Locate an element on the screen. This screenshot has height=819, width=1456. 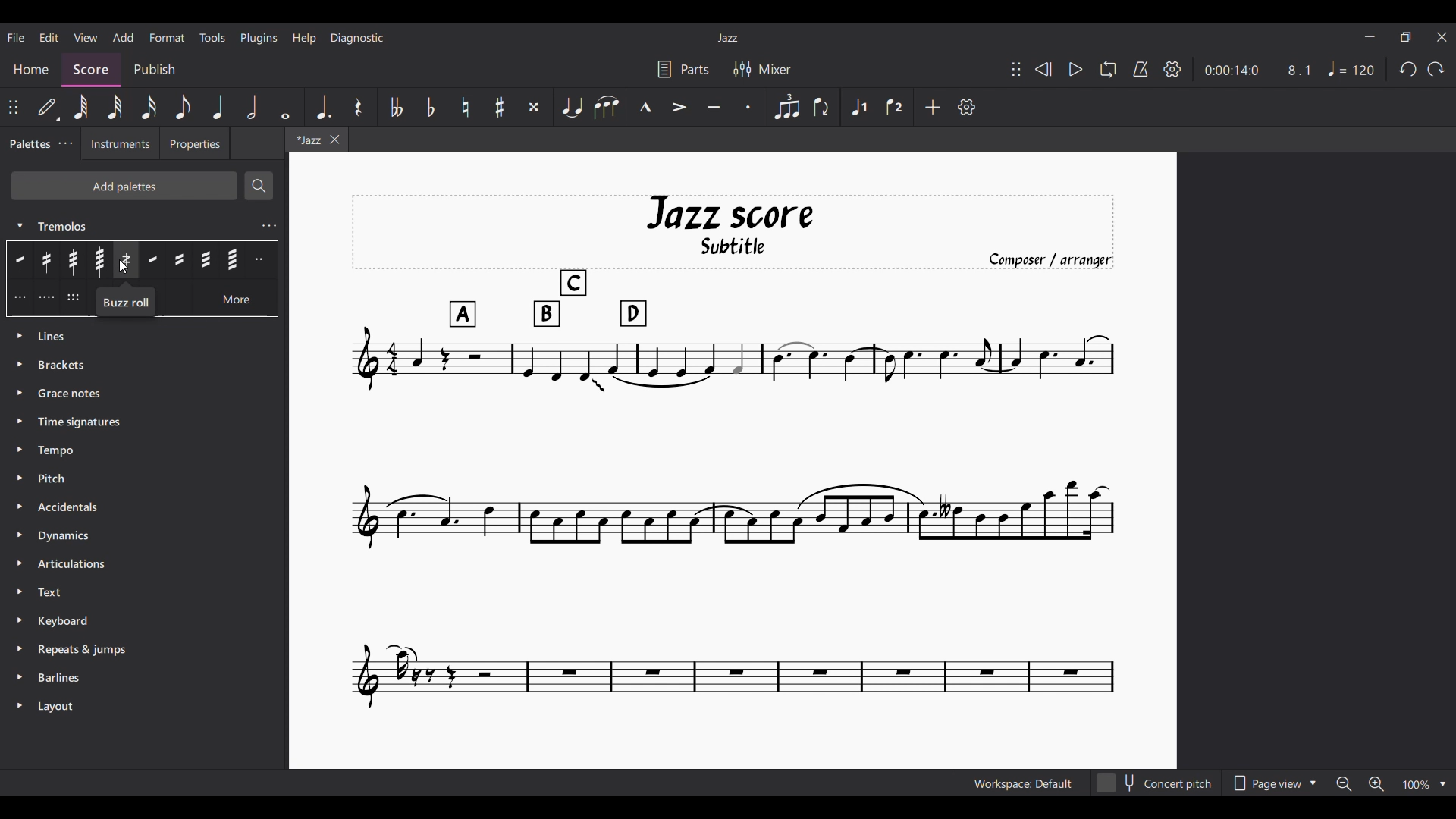
Workspace: Default is located at coordinates (1023, 783).